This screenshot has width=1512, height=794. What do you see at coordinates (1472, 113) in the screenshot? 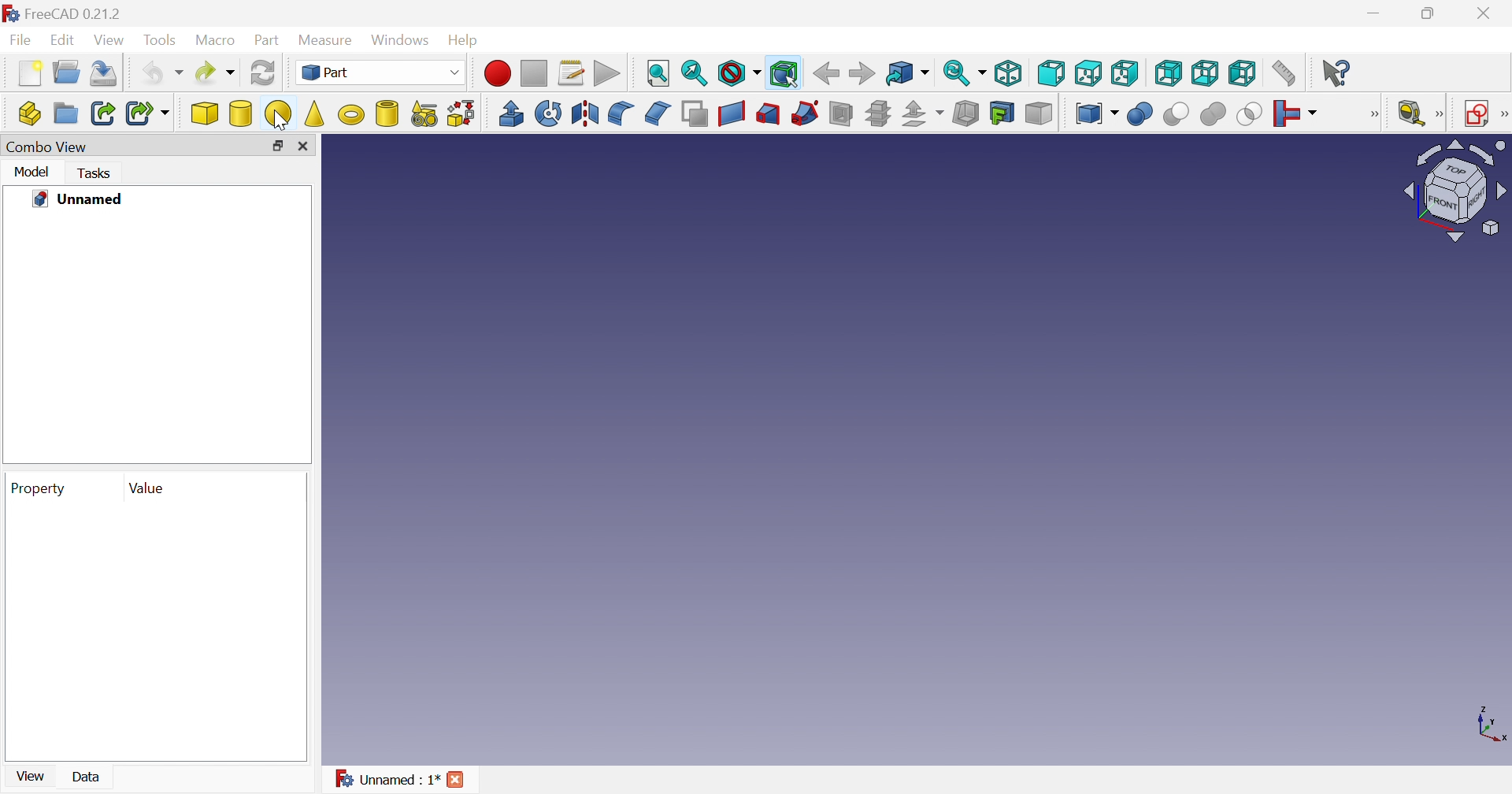
I see `Create sketch` at bounding box center [1472, 113].